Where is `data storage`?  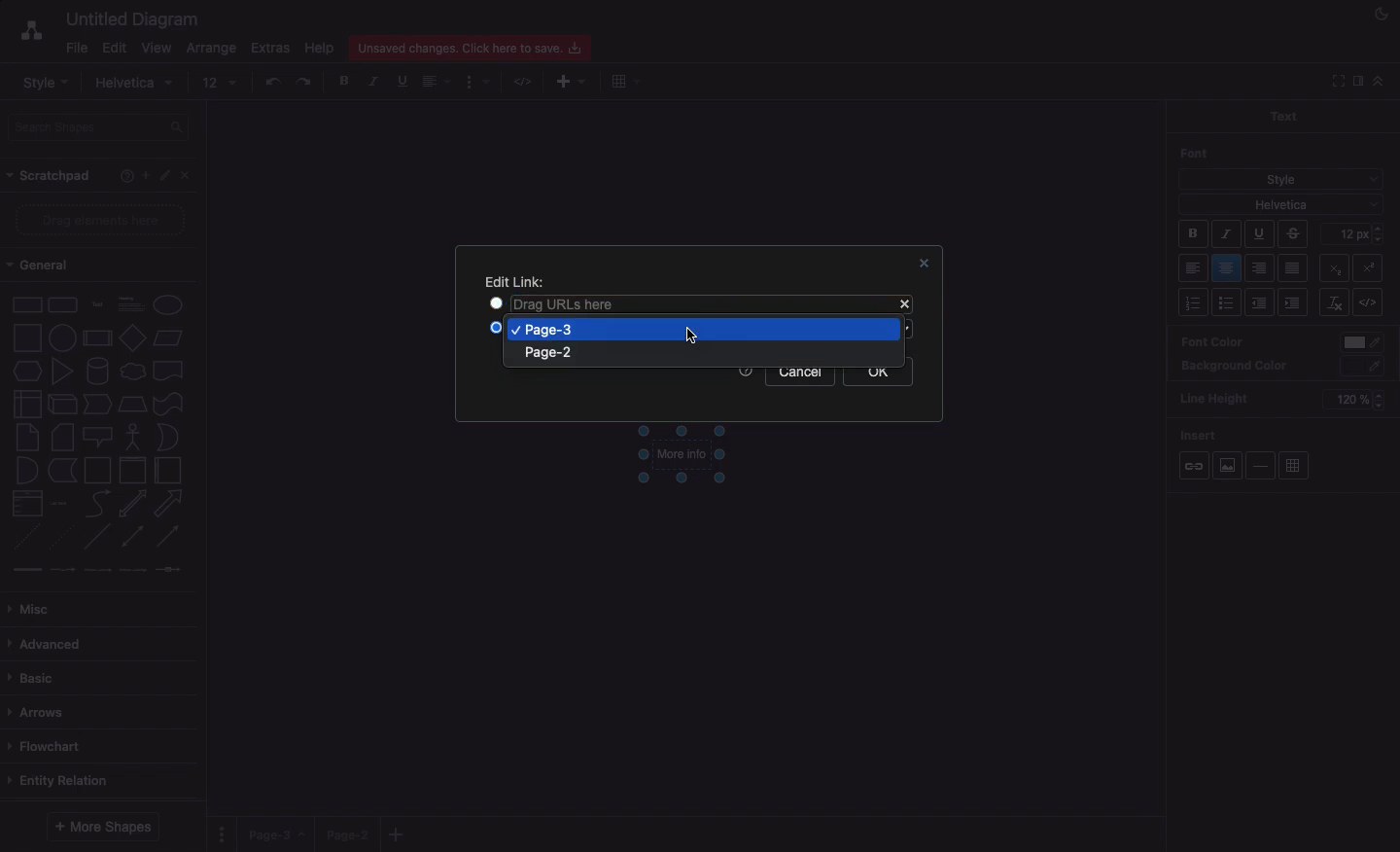
data storage is located at coordinates (63, 471).